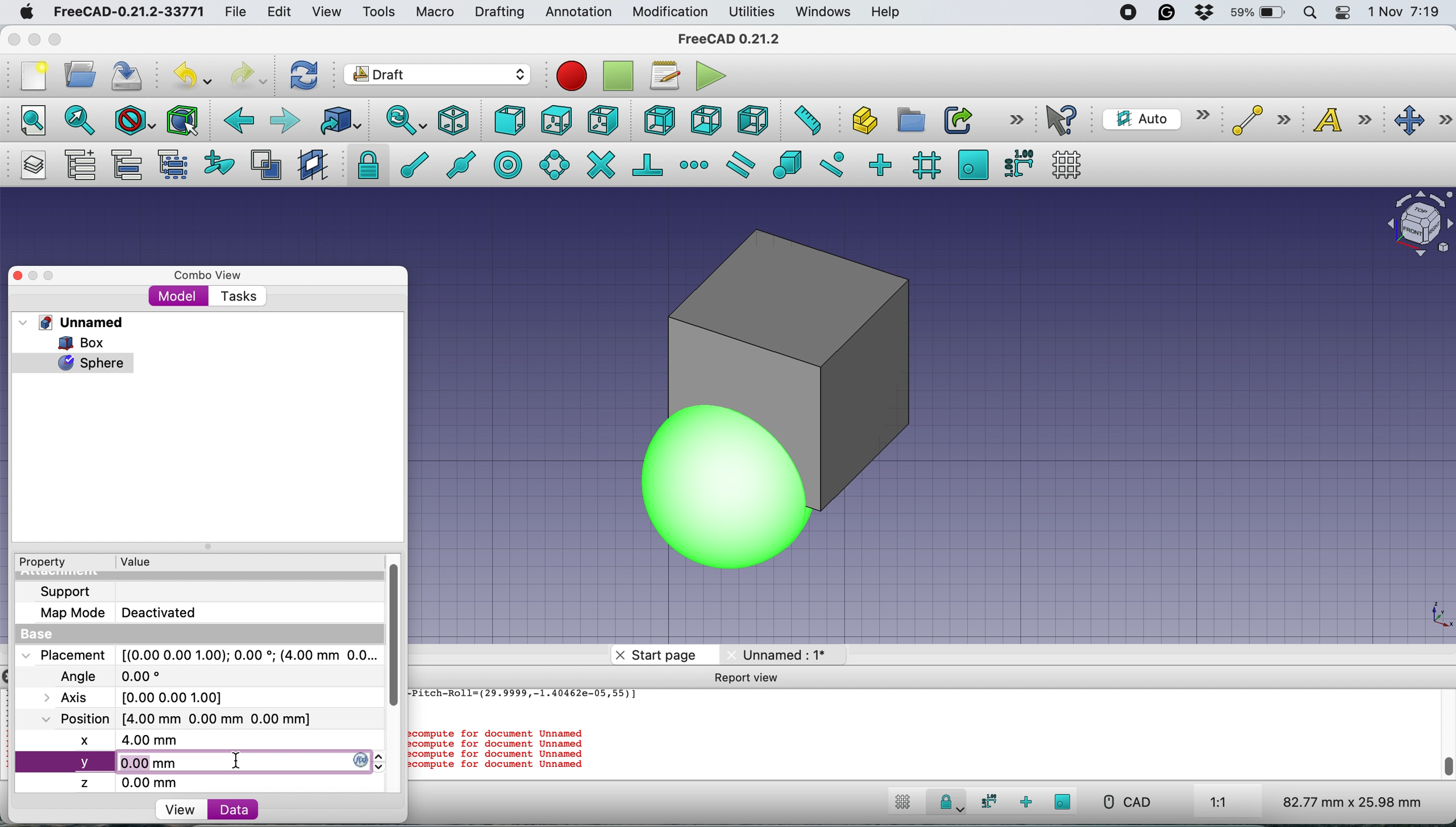 The width and height of the screenshot is (1456, 827). What do you see at coordinates (1254, 14) in the screenshot?
I see `battery` at bounding box center [1254, 14].